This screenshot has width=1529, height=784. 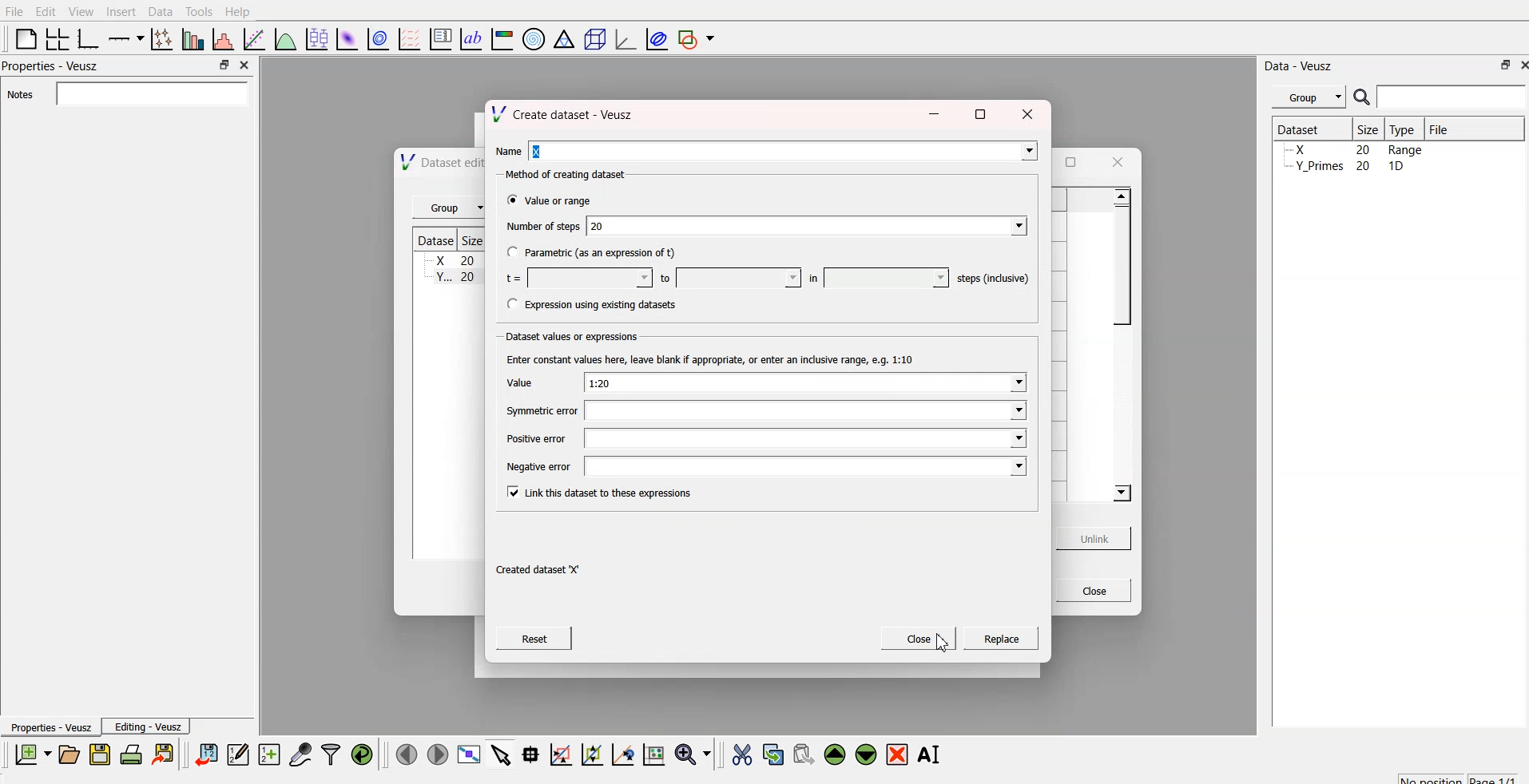 I want to click on Notes, so click(x=18, y=95).